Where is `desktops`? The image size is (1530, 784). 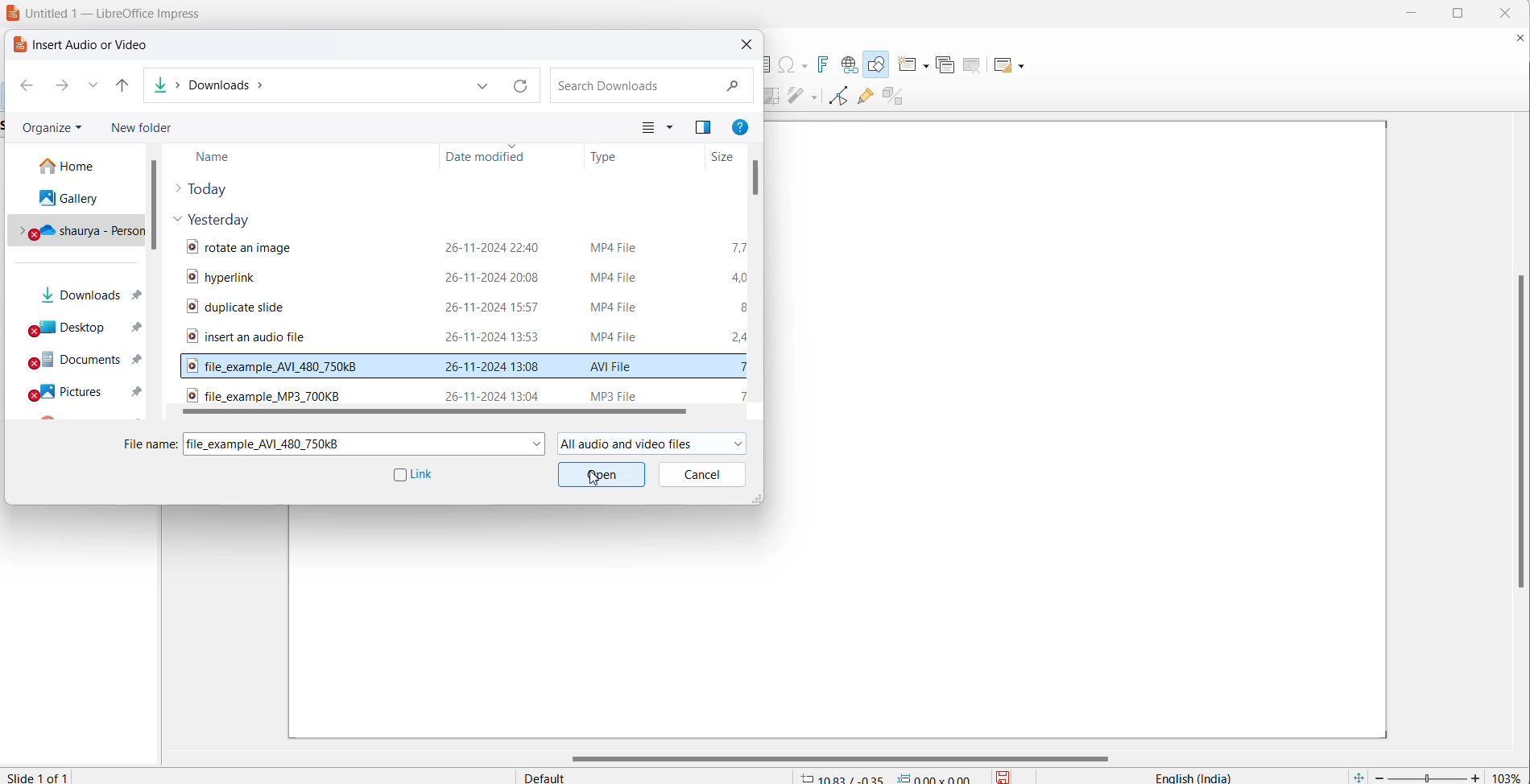
desktops is located at coordinates (85, 327).